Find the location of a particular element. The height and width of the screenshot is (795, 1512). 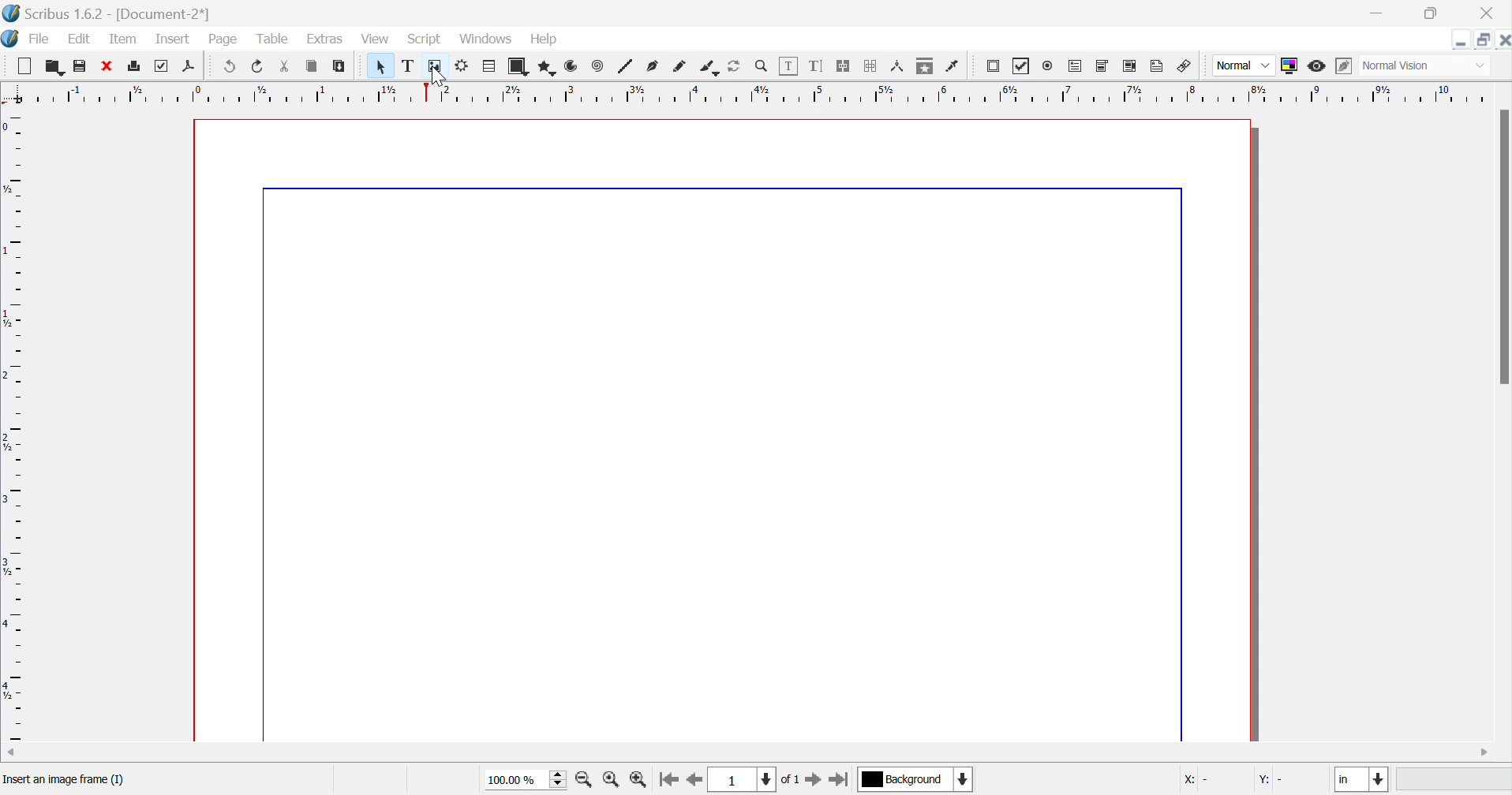

shape is located at coordinates (517, 66).